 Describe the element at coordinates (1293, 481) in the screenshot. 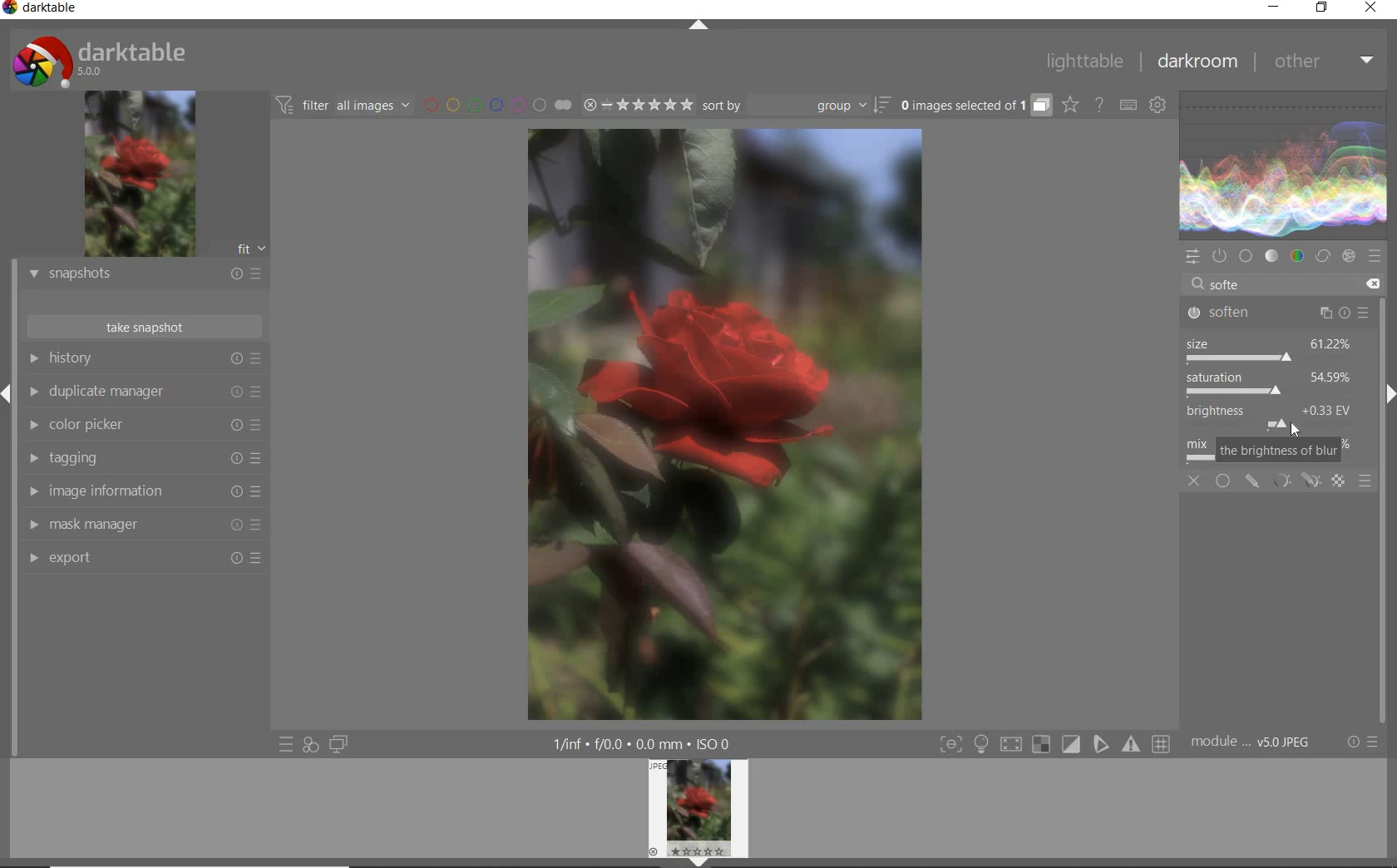

I see `mask options` at that location.